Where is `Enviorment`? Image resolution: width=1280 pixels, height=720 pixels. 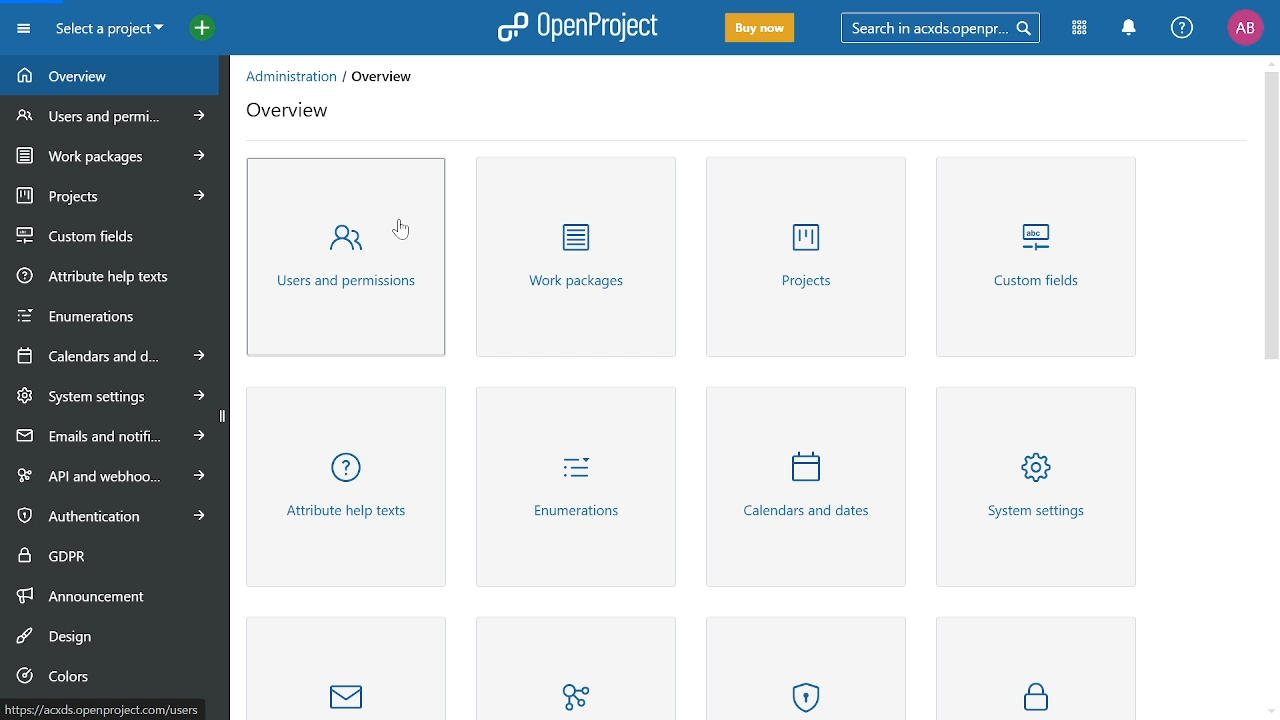
Enviorment is located at coordinates (577, 489).